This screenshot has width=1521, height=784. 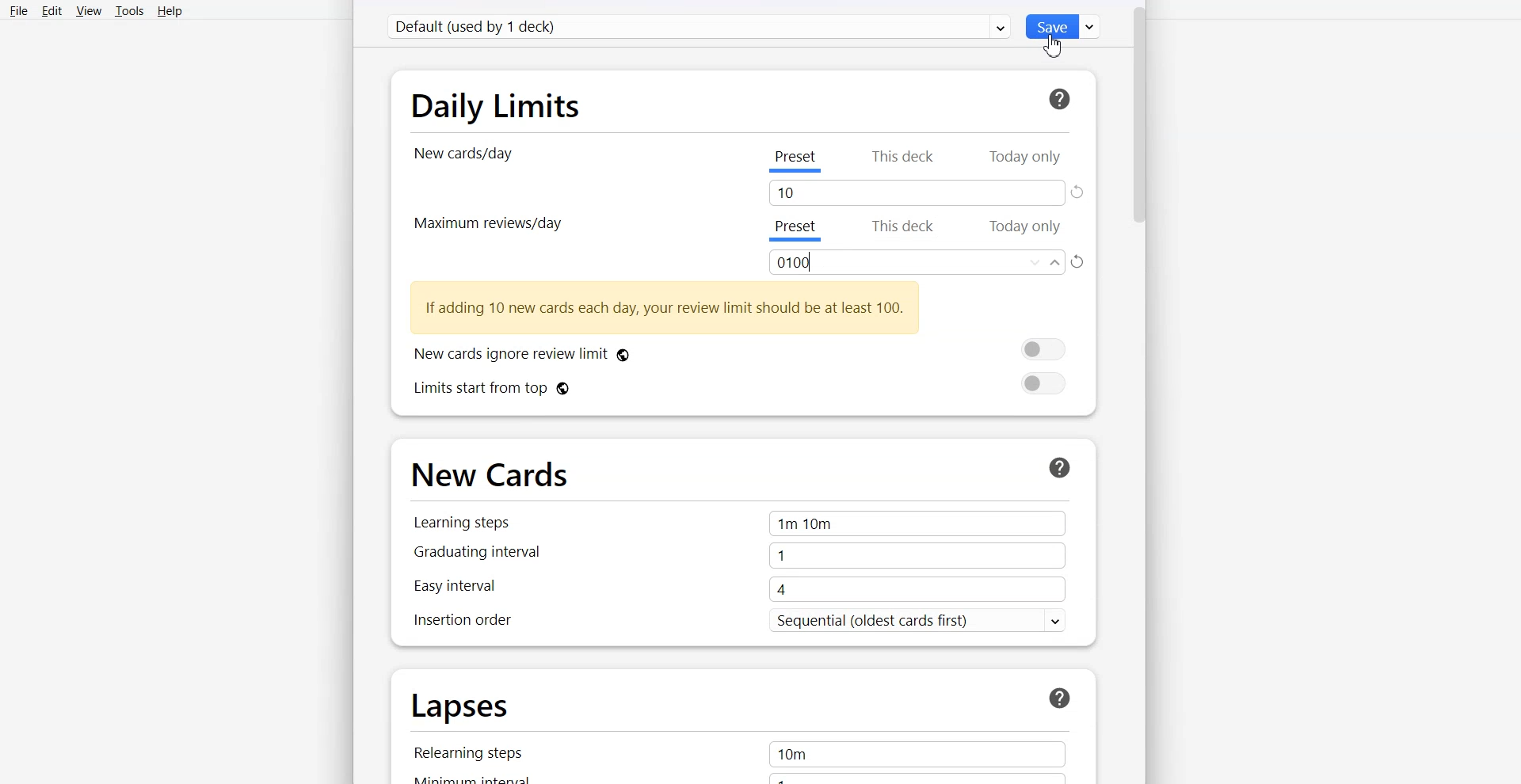 I want to click on This deck, so click(x=904, y=229).